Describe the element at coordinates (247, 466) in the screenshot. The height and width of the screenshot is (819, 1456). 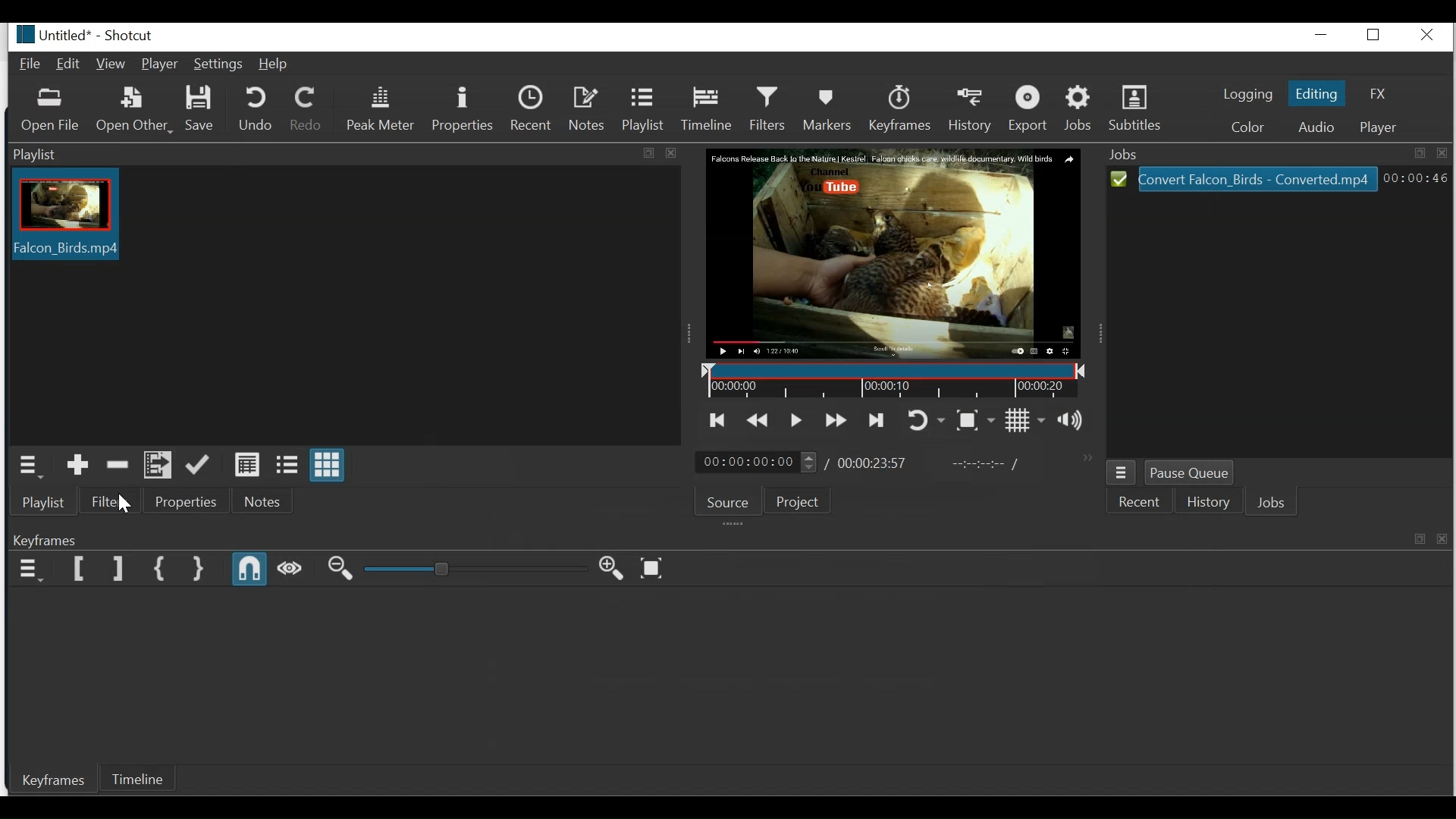
I see `View as details` at that location.